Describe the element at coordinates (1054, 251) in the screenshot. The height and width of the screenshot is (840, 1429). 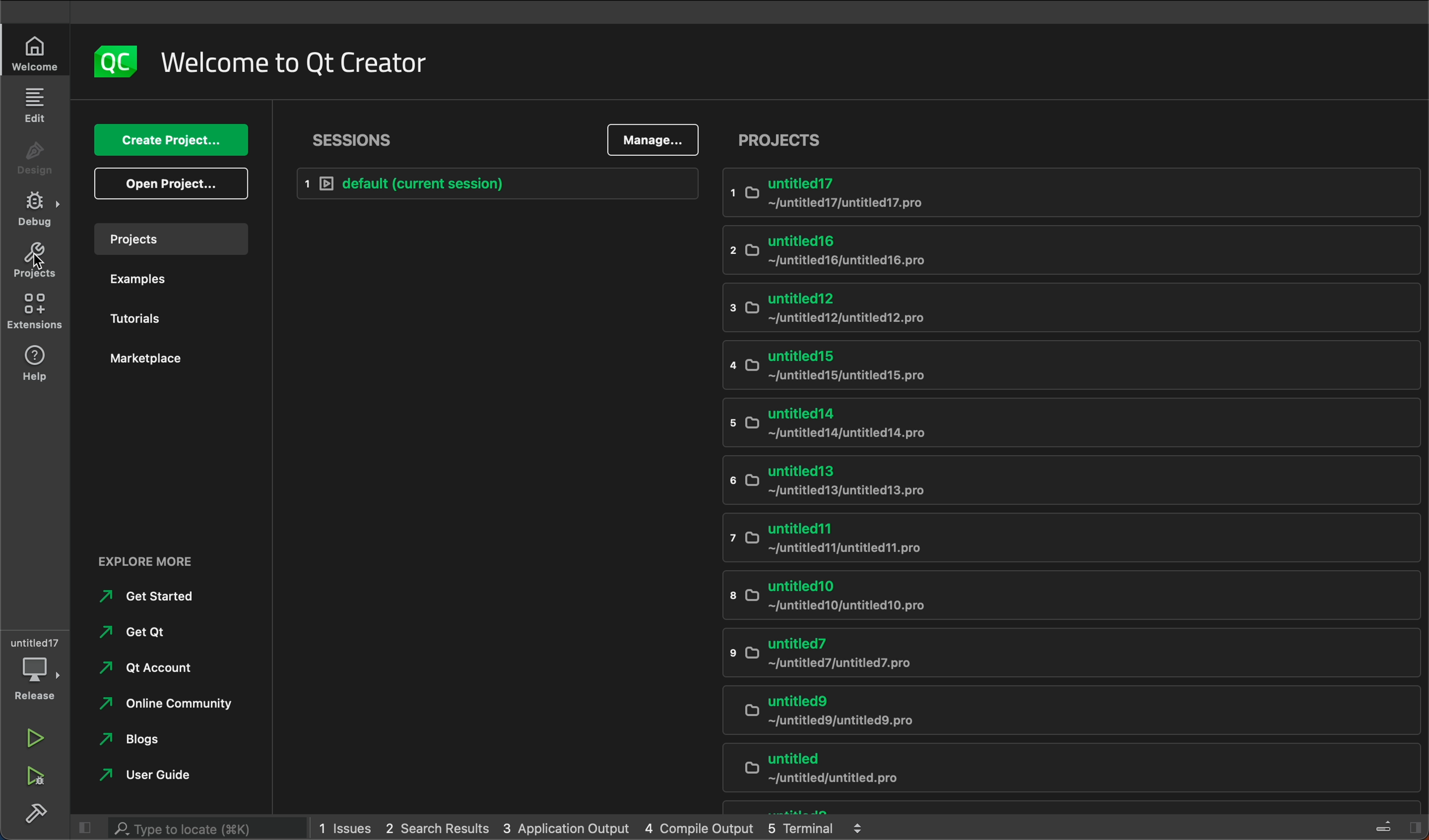
I see `untitled16` at that location.